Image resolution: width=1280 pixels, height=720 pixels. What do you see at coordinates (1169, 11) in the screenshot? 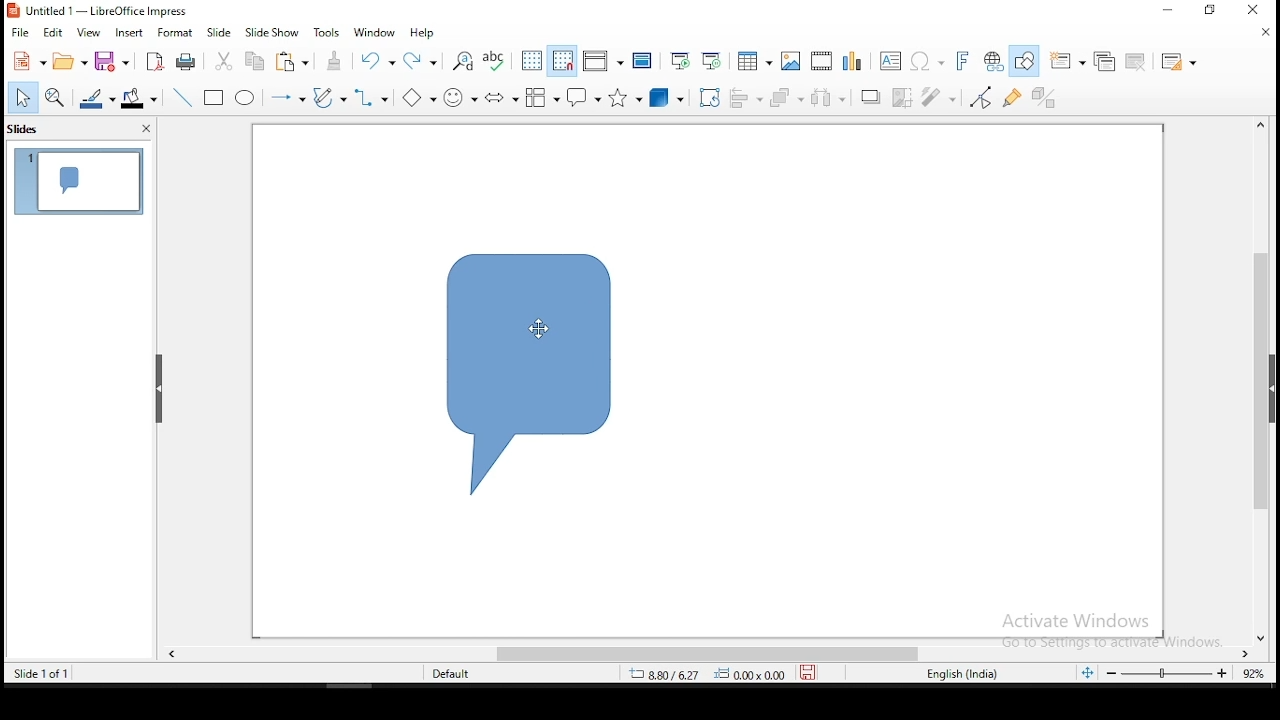
I see `restore` at bounding box center [1169, 11].